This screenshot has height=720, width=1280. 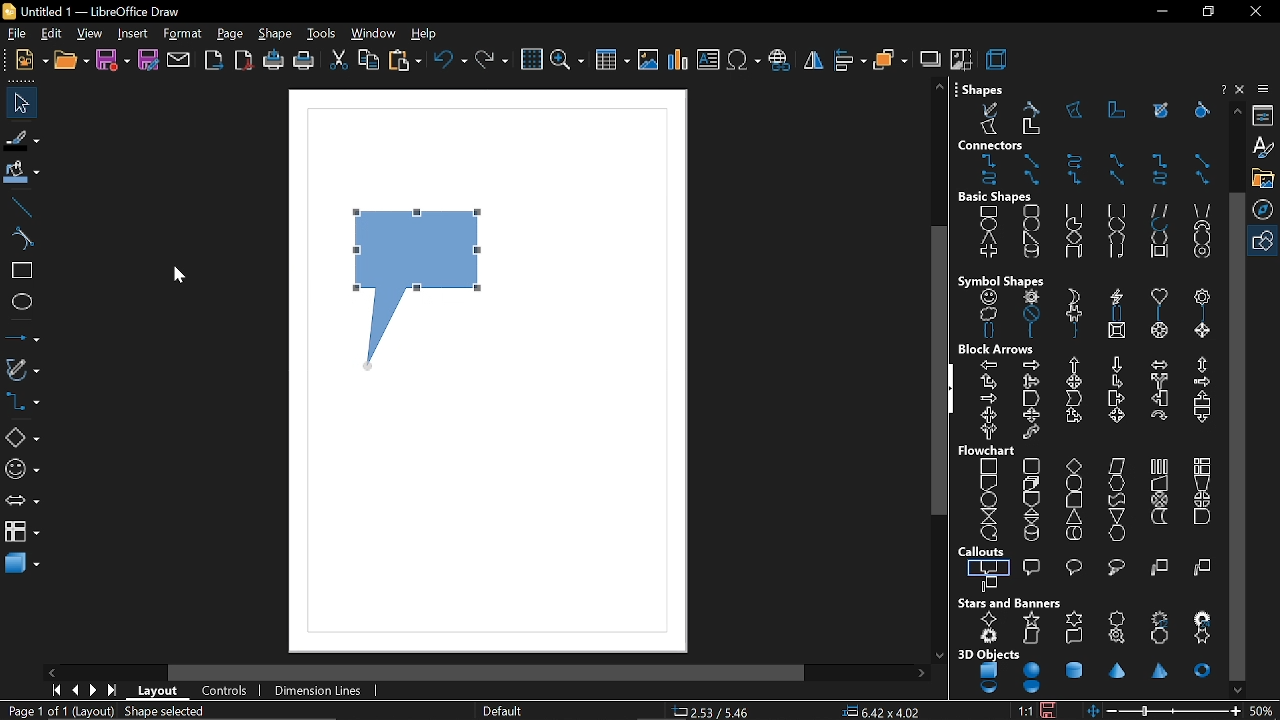 I want to click on co-ordinate, so click(x=718, y=712).